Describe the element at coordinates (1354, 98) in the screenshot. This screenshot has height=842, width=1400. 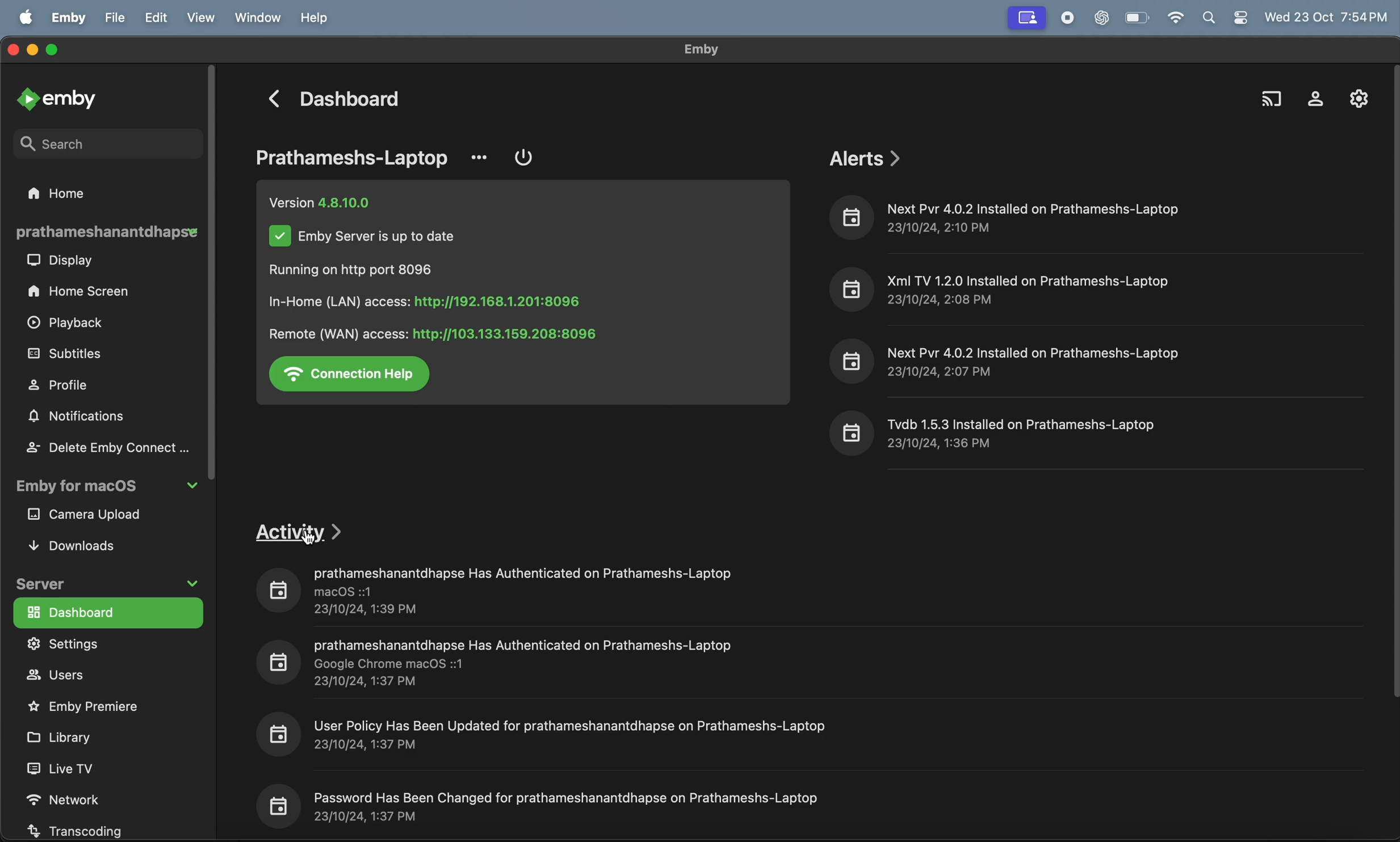
I see `settings` at that location.